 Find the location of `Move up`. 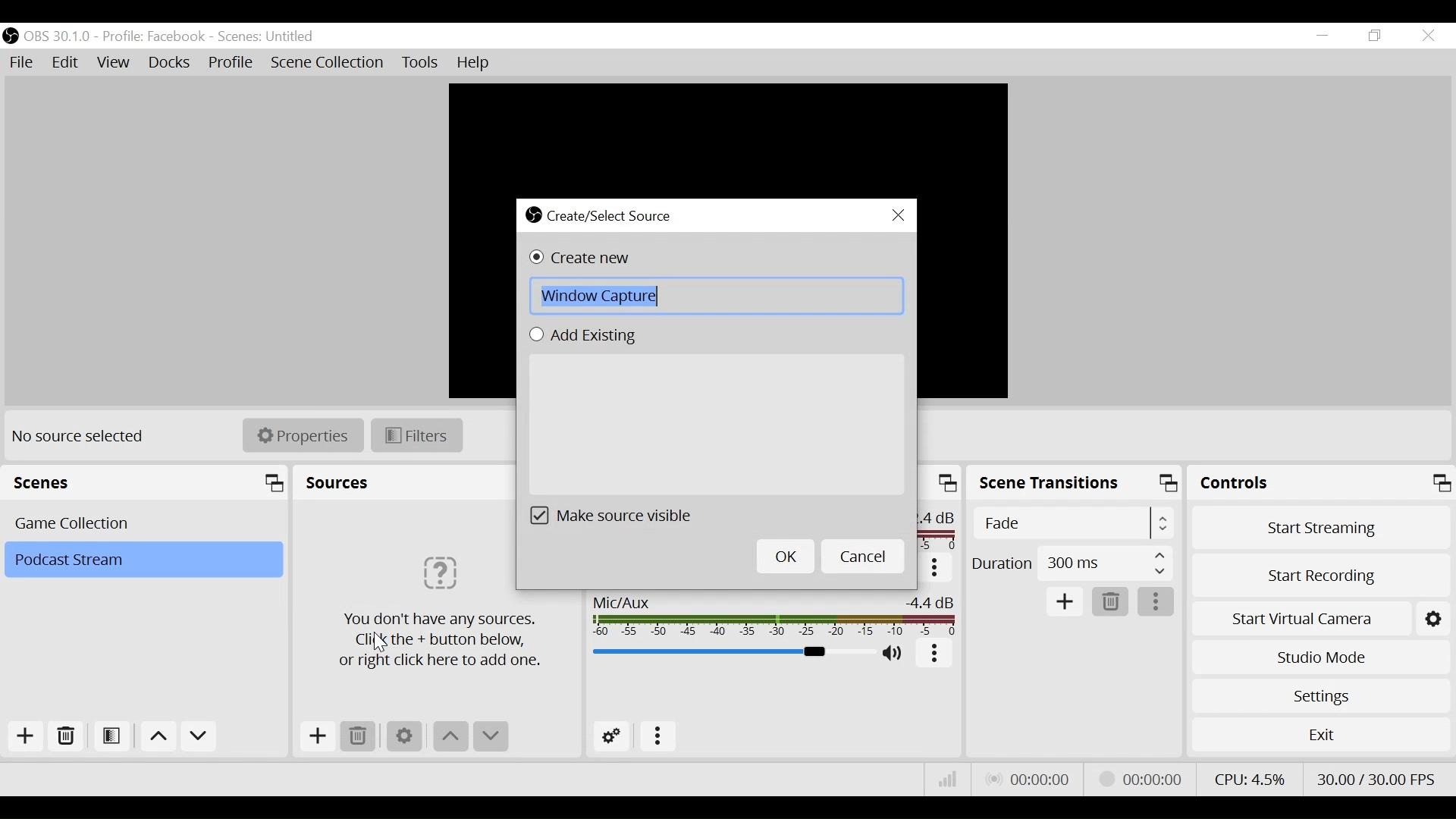

Move up is located at coordinates (157, 737).